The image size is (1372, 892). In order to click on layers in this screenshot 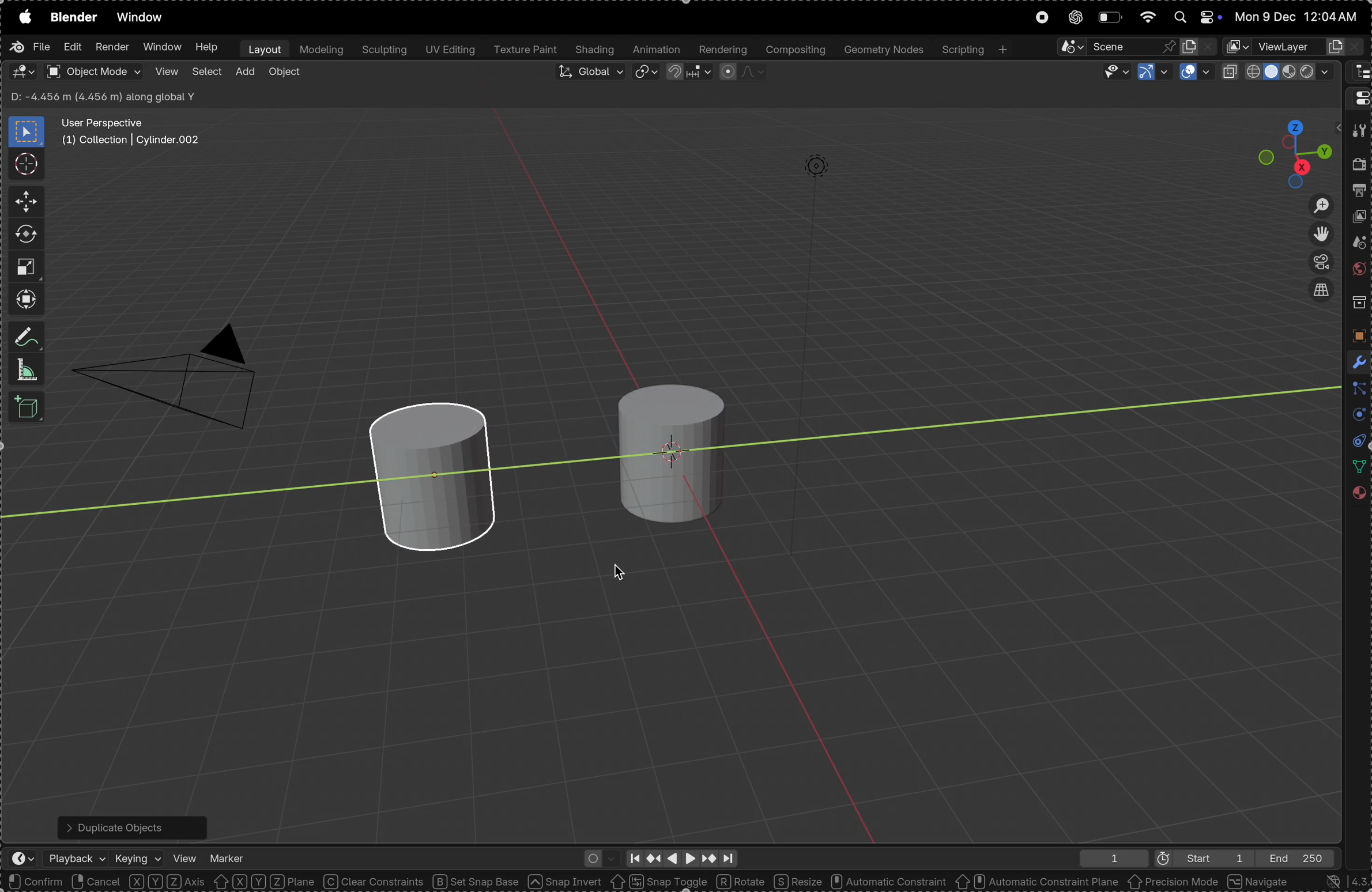, I will do `click(1355, 416)`.